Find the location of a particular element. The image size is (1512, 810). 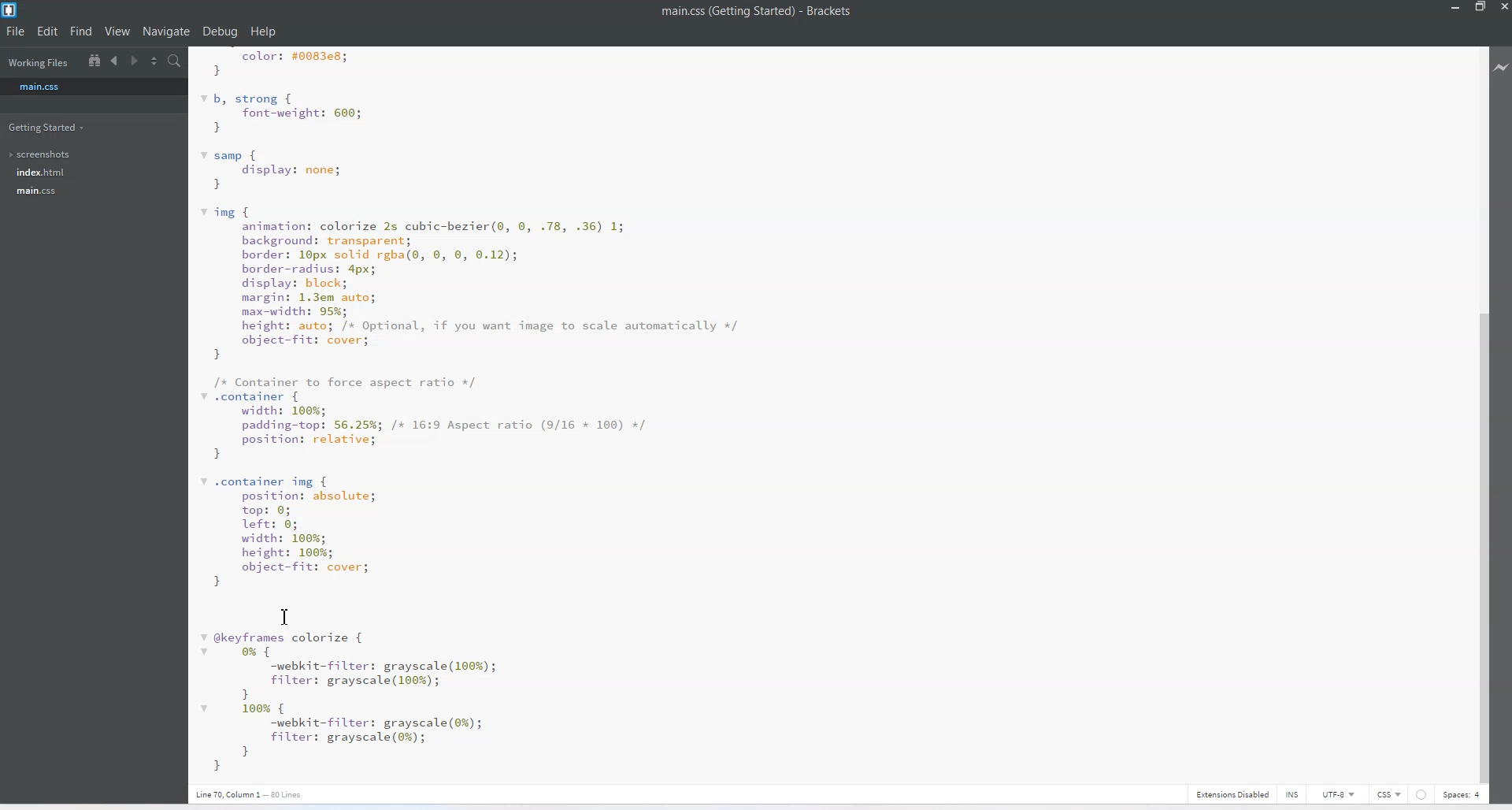

Spaces: 4 is located at coordinates (1462, 794).